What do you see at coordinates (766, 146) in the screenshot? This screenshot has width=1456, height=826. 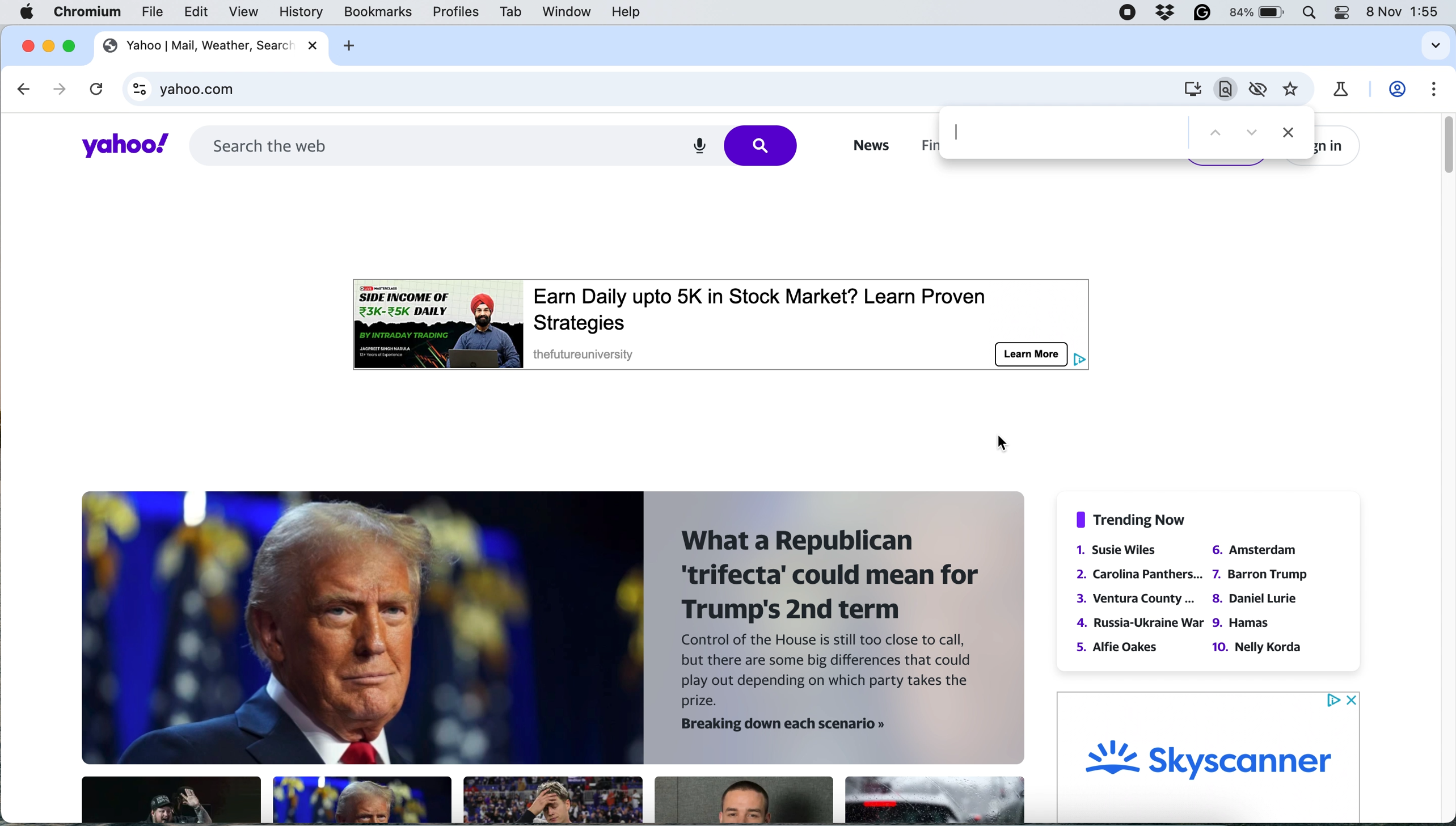 I see `search button` at bounding box center [766, 146].